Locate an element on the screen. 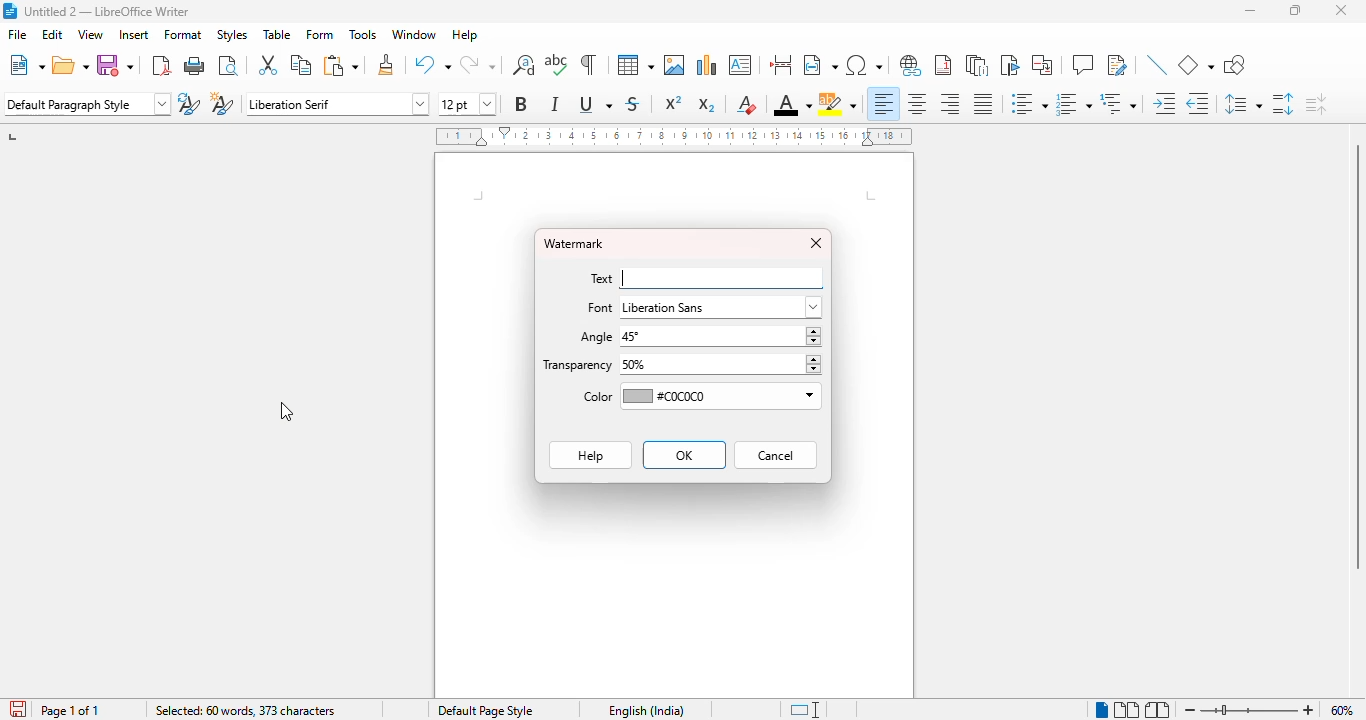  vertical scroll bar is located at coordinates (1357, 357).